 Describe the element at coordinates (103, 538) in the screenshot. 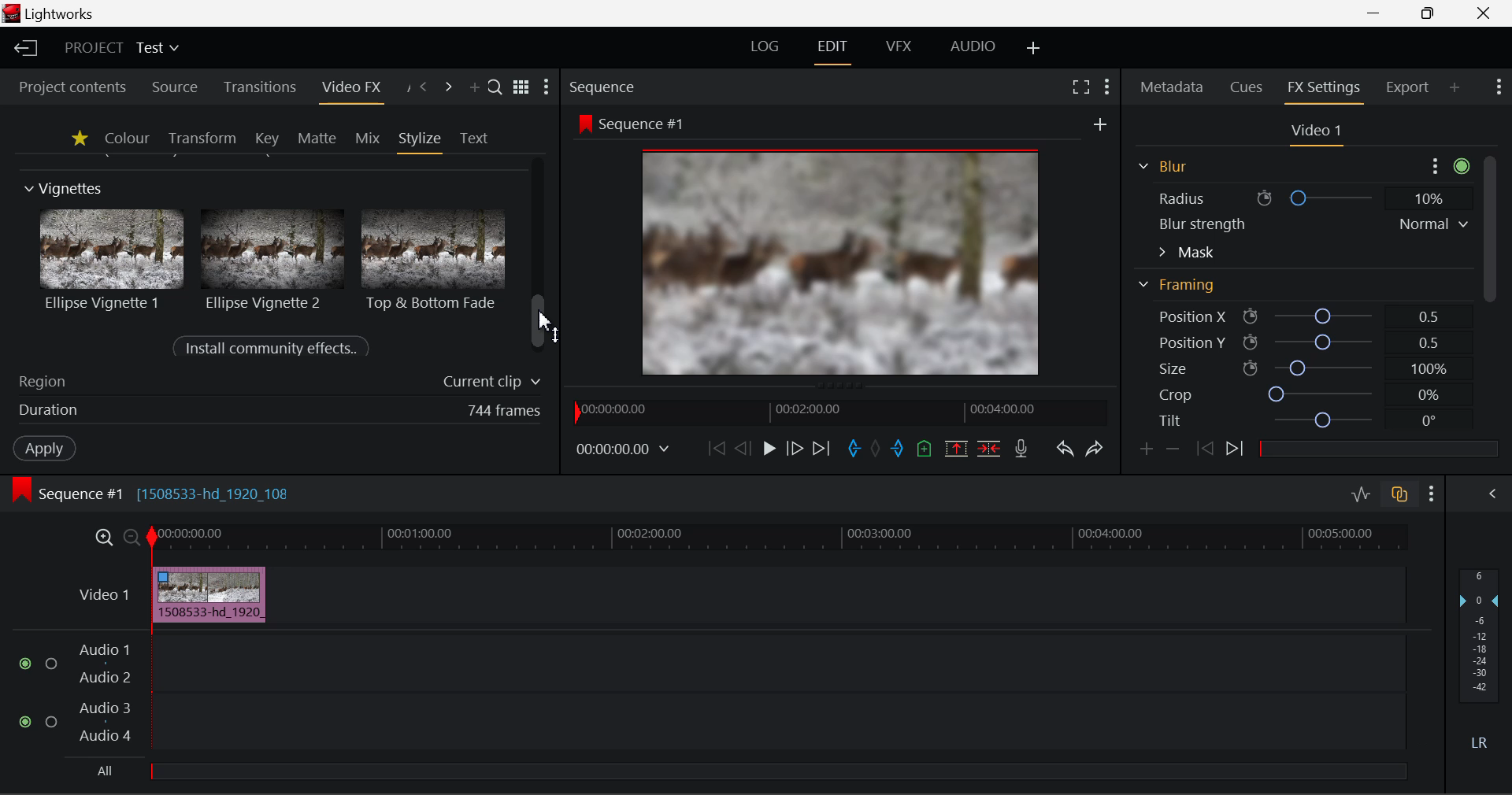

I see `Timeline Zoom In` at that location.